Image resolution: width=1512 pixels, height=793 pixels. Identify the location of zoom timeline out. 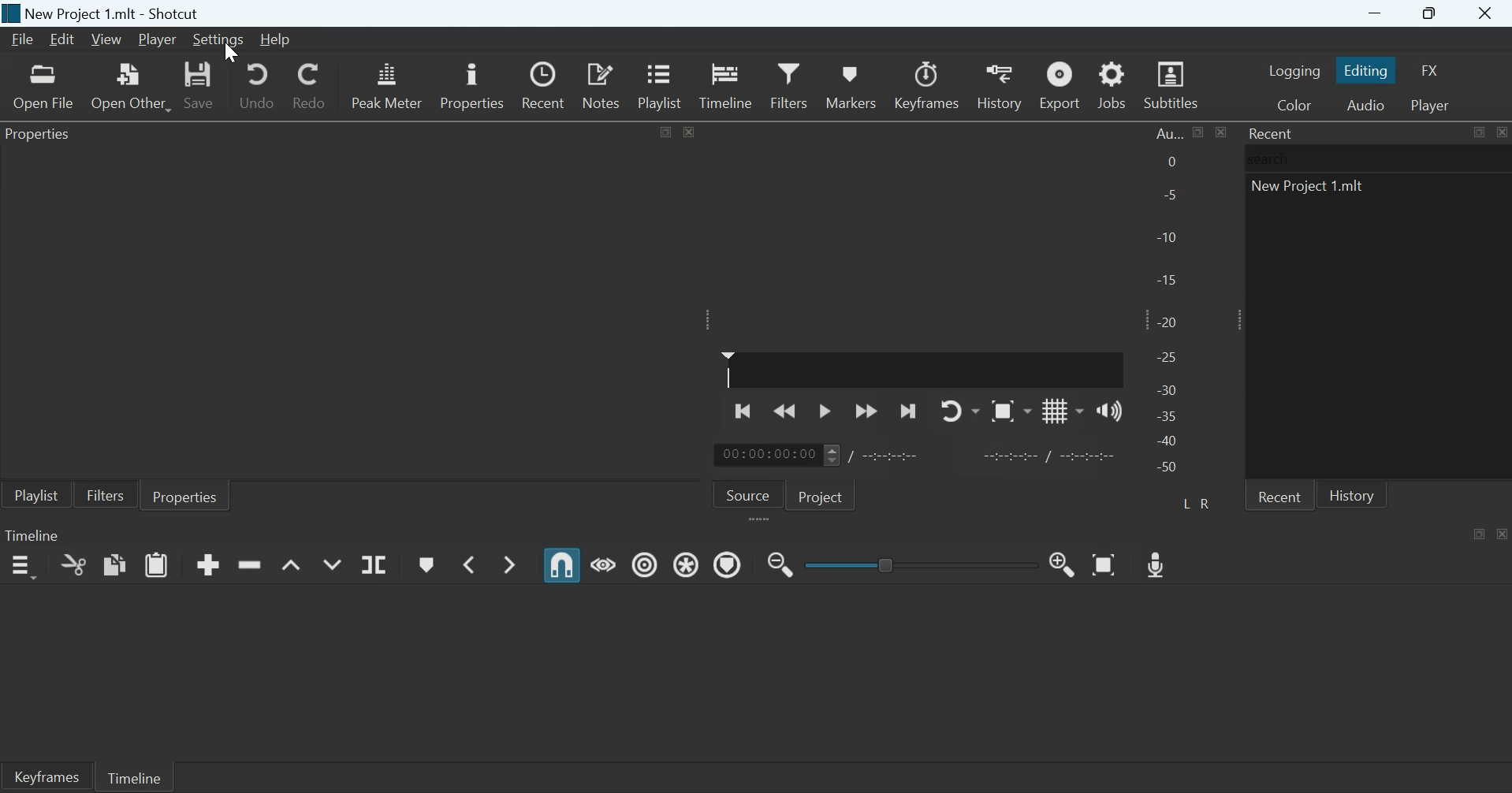
(780, 563).